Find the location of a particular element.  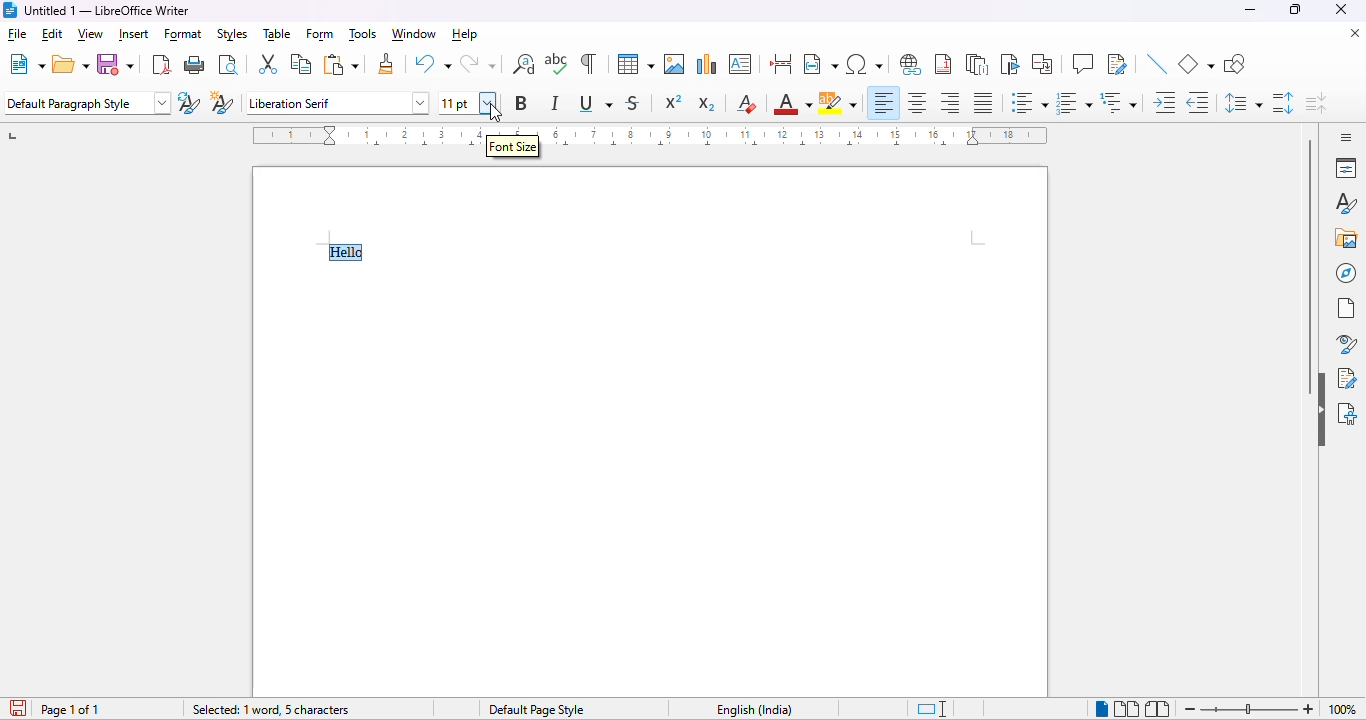

insert special characters is located at coordinates (864, 64).